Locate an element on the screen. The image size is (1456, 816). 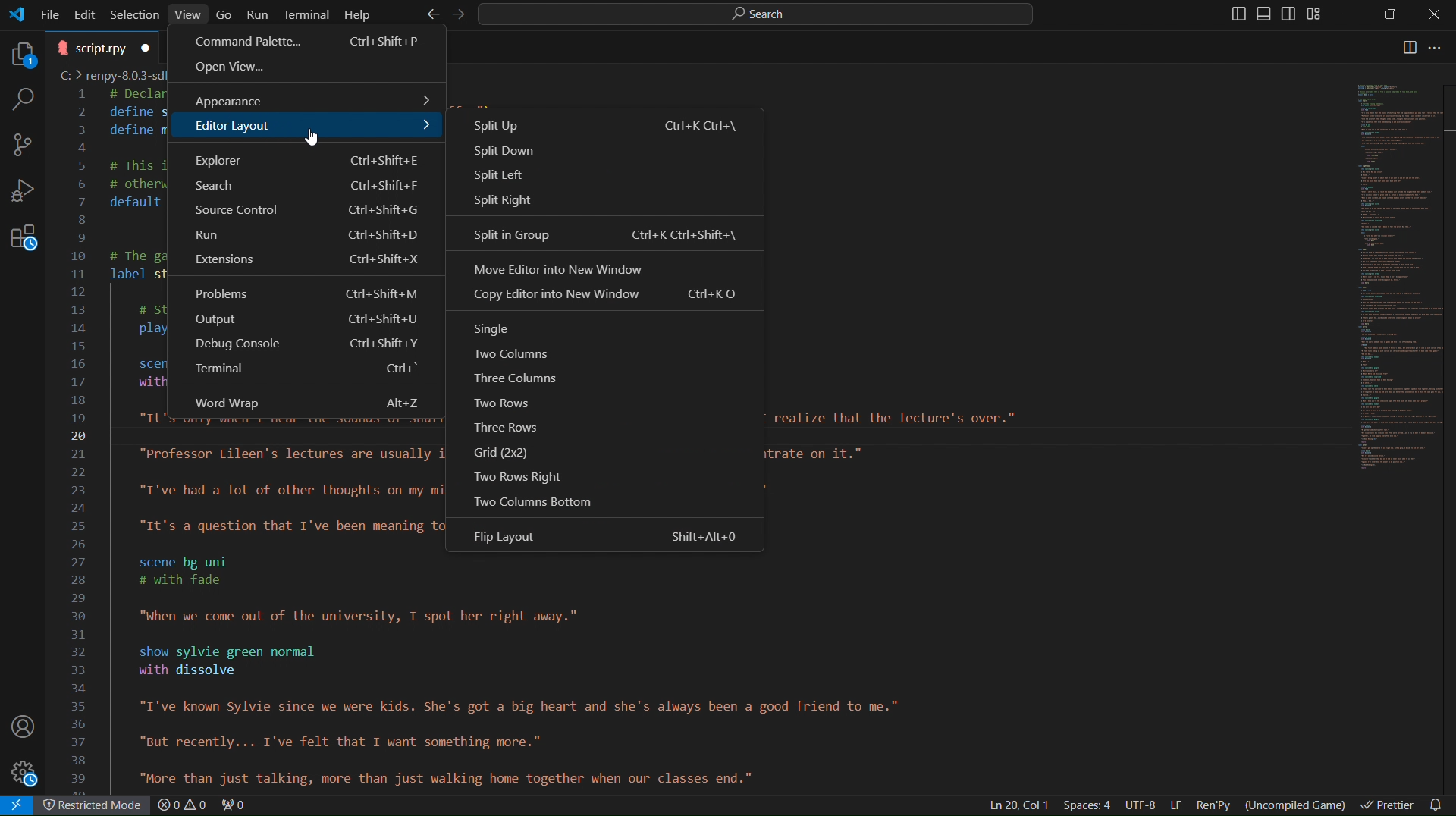
Edit is located at coordinates (87, 13).